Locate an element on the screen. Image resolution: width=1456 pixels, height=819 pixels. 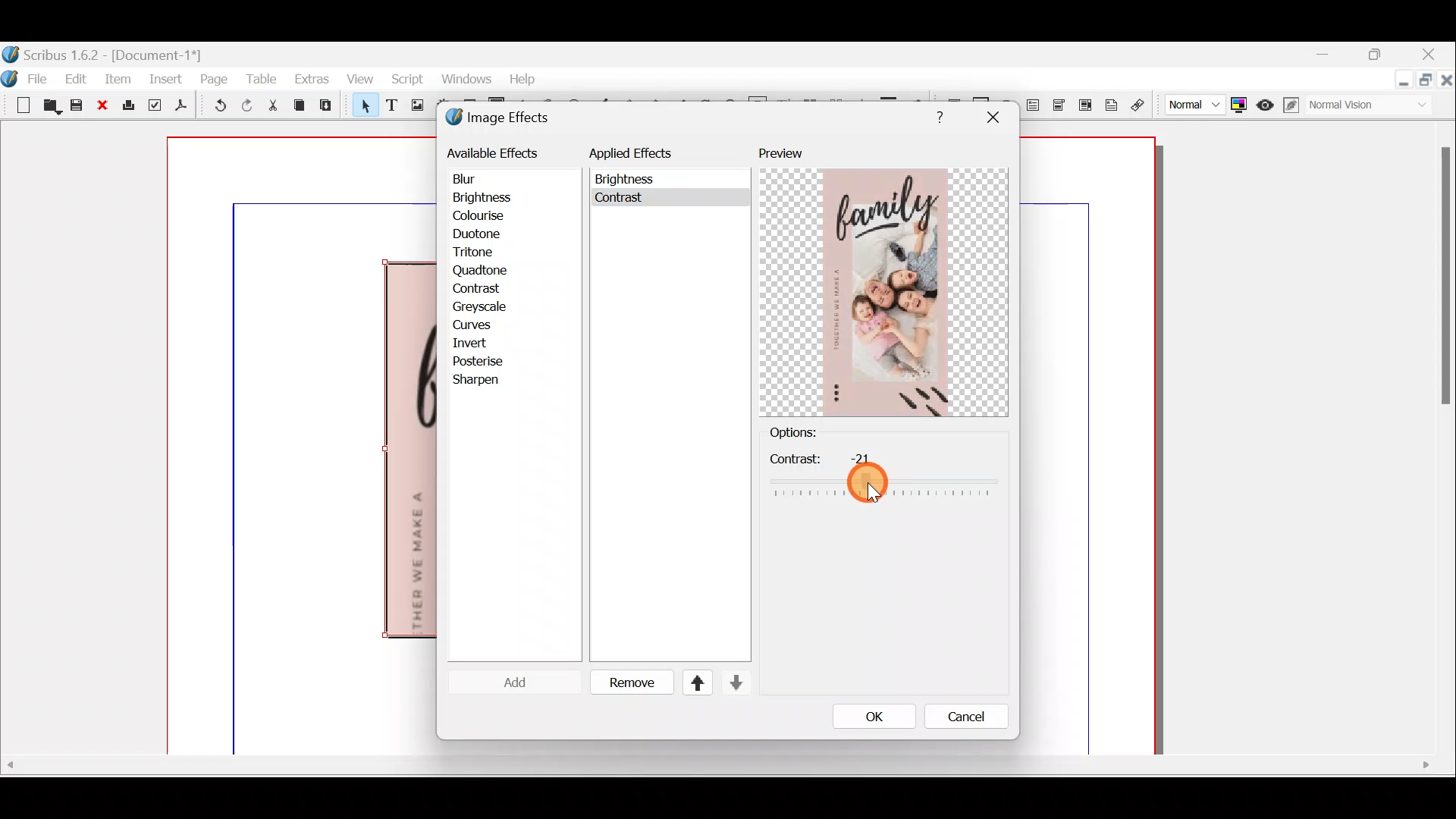
Options is located at coordinates (818, 433).